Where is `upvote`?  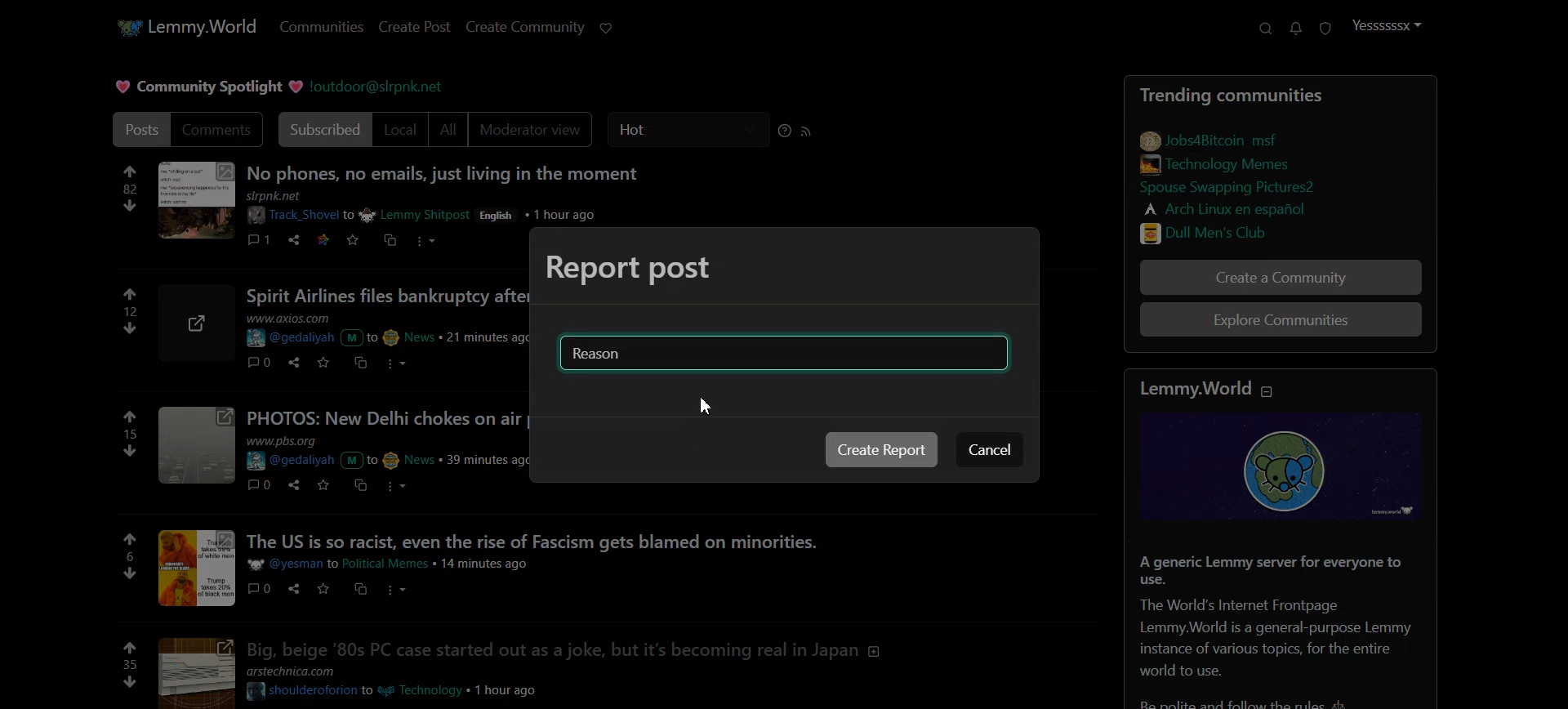 upvote is located at coordinates (131, 295).